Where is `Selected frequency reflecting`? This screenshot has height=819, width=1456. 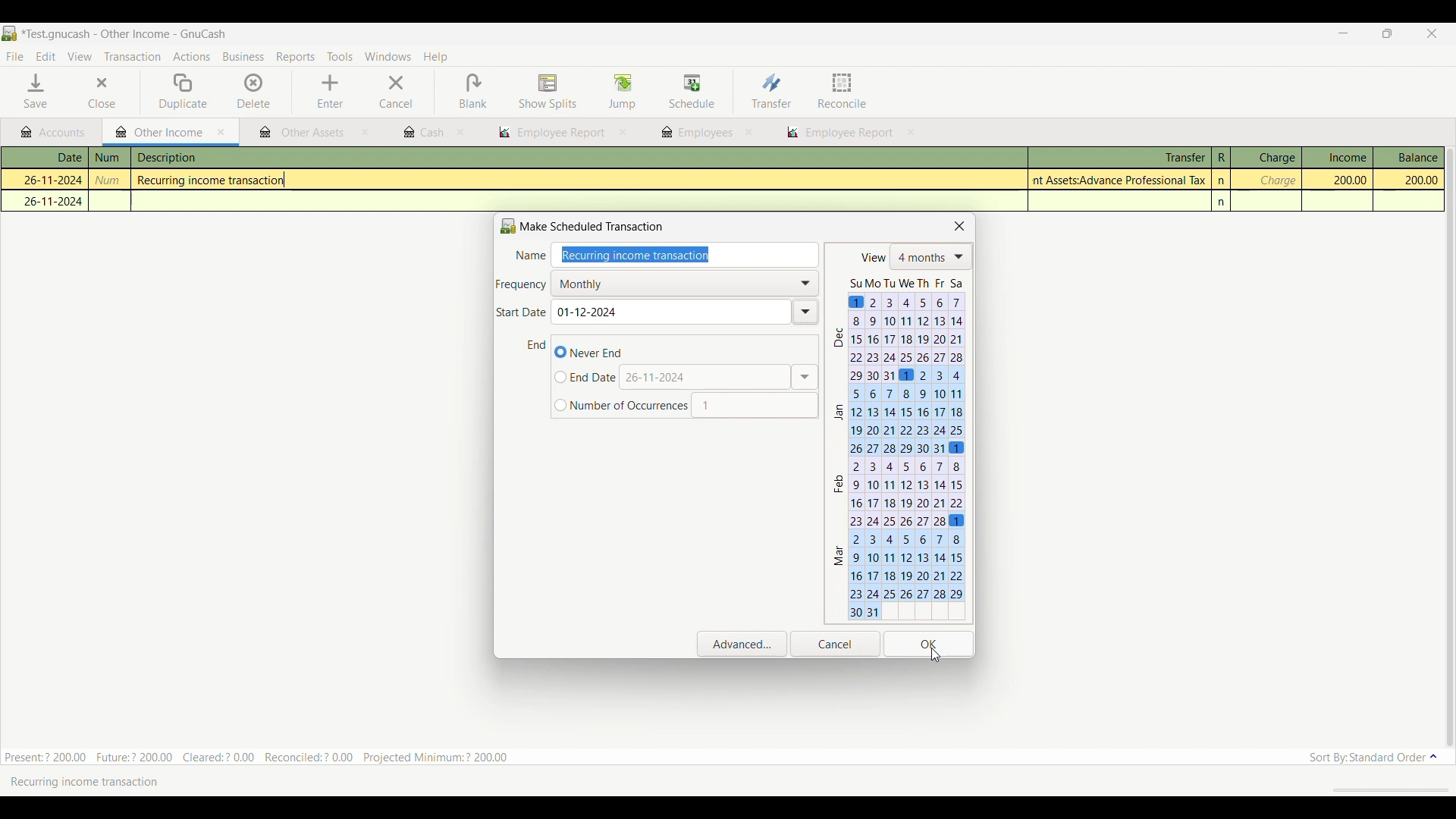
Selected frequency reflecting is located at coordinates (689, 283).